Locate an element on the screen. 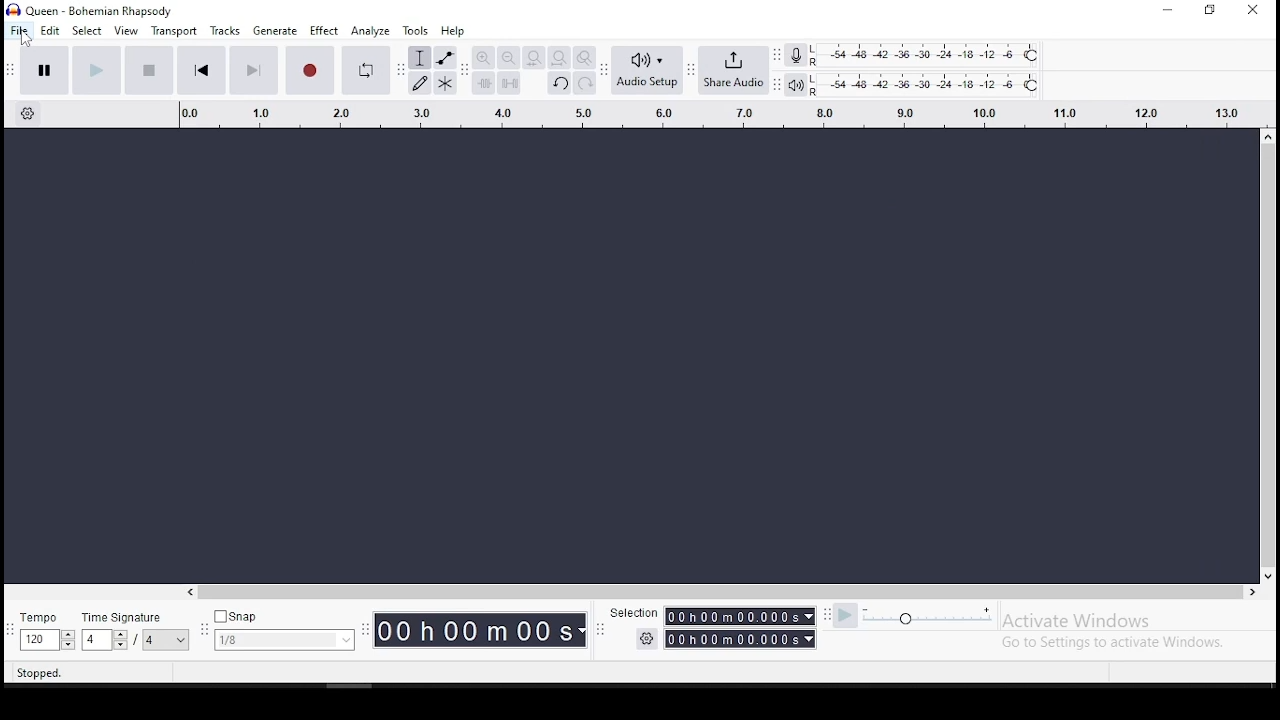 This screenshot has width=1280, height=720. enable looping is located at coordinates (364, 68).